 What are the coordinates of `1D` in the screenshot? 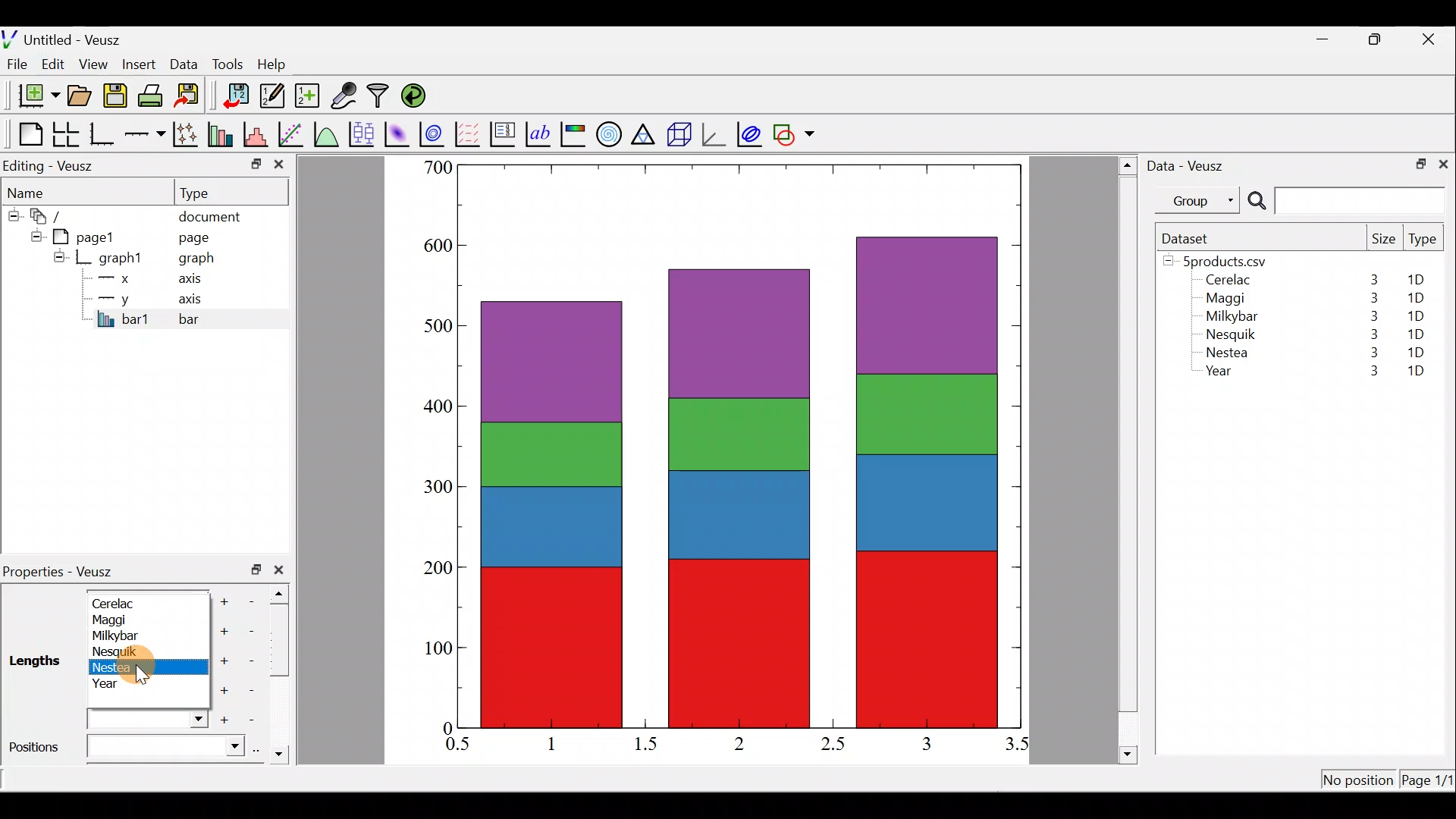 It's located at (1416, 352).